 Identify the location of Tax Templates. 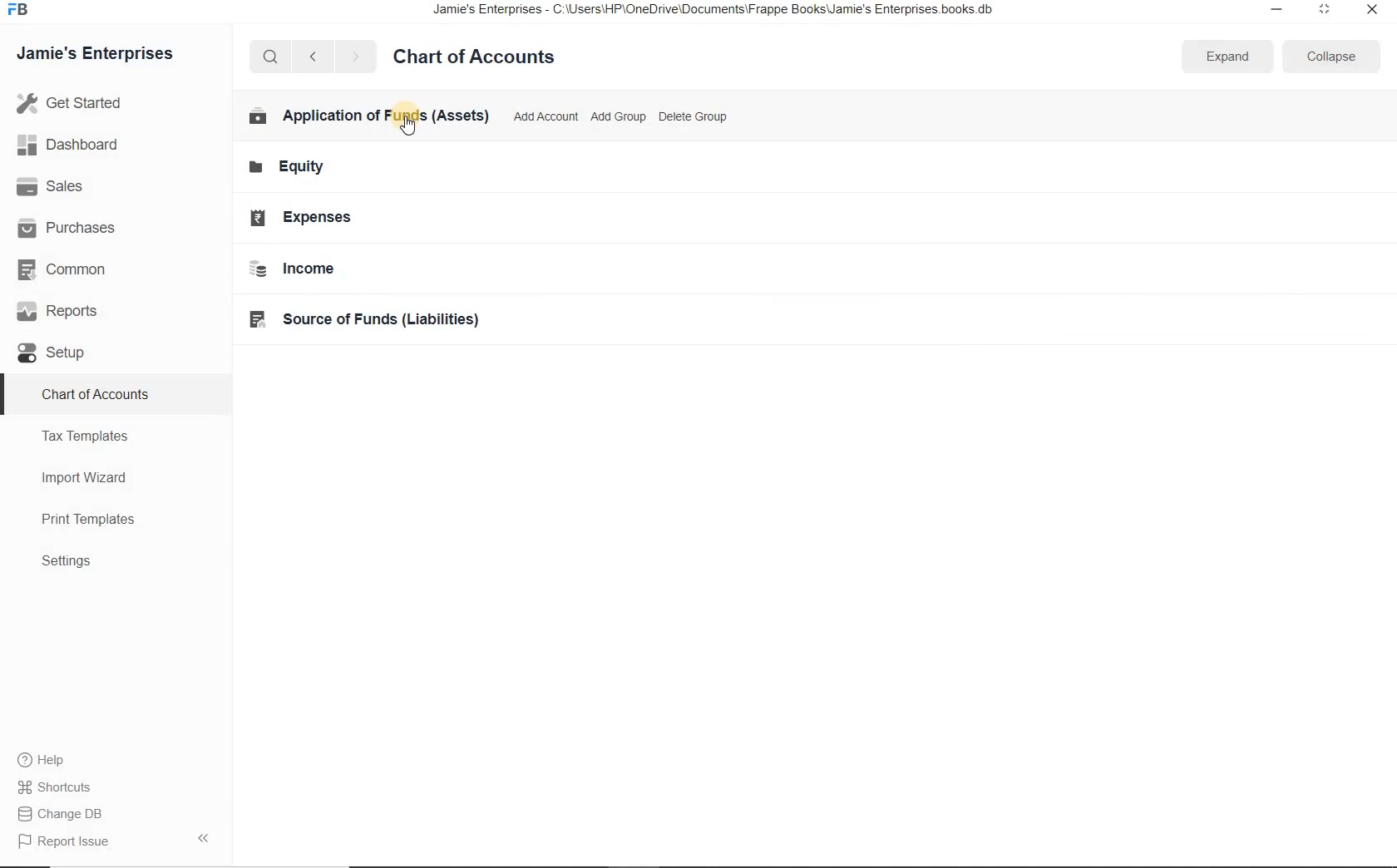
(91, 436).